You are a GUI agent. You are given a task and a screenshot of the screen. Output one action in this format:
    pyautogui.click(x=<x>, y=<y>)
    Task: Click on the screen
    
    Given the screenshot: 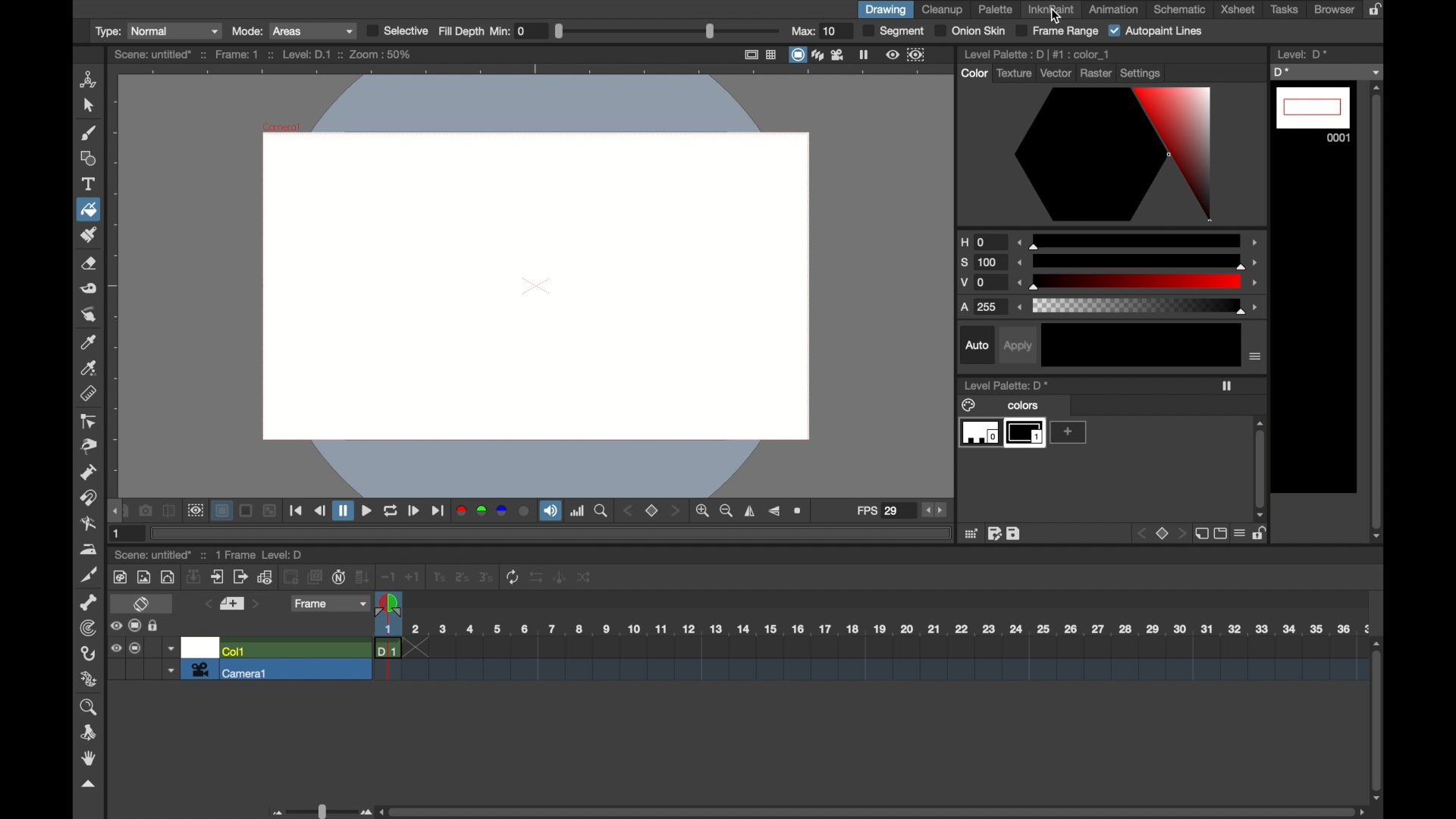 What is the action you would take?
    pyautogui.click(x=135, y=626)
    